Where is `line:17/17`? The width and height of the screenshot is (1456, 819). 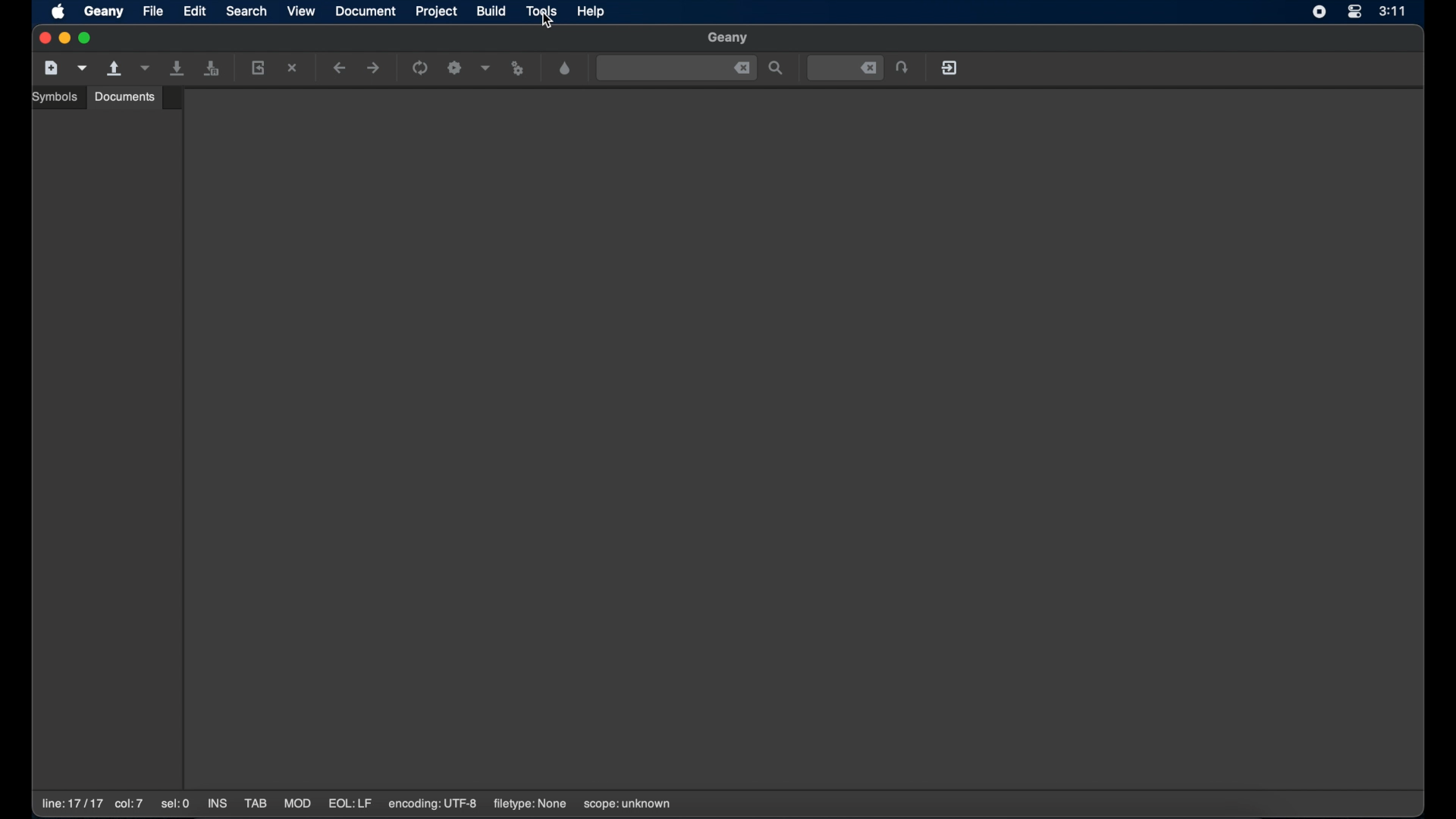 line:17/17 is located at coordinates (71, 804).